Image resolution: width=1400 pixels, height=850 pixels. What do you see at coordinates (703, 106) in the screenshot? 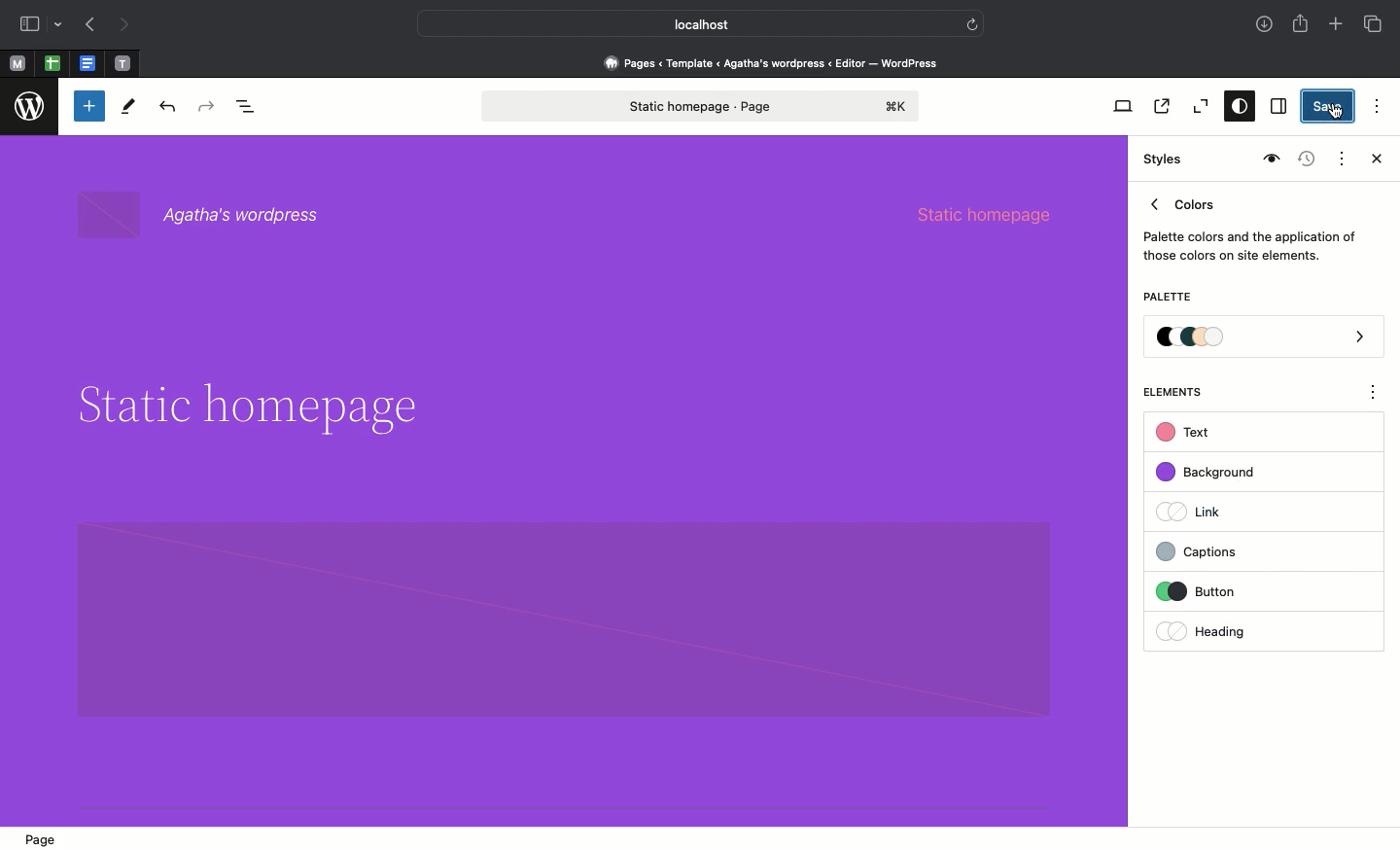
I see `Static homepage` at bounding box center [703, 106].